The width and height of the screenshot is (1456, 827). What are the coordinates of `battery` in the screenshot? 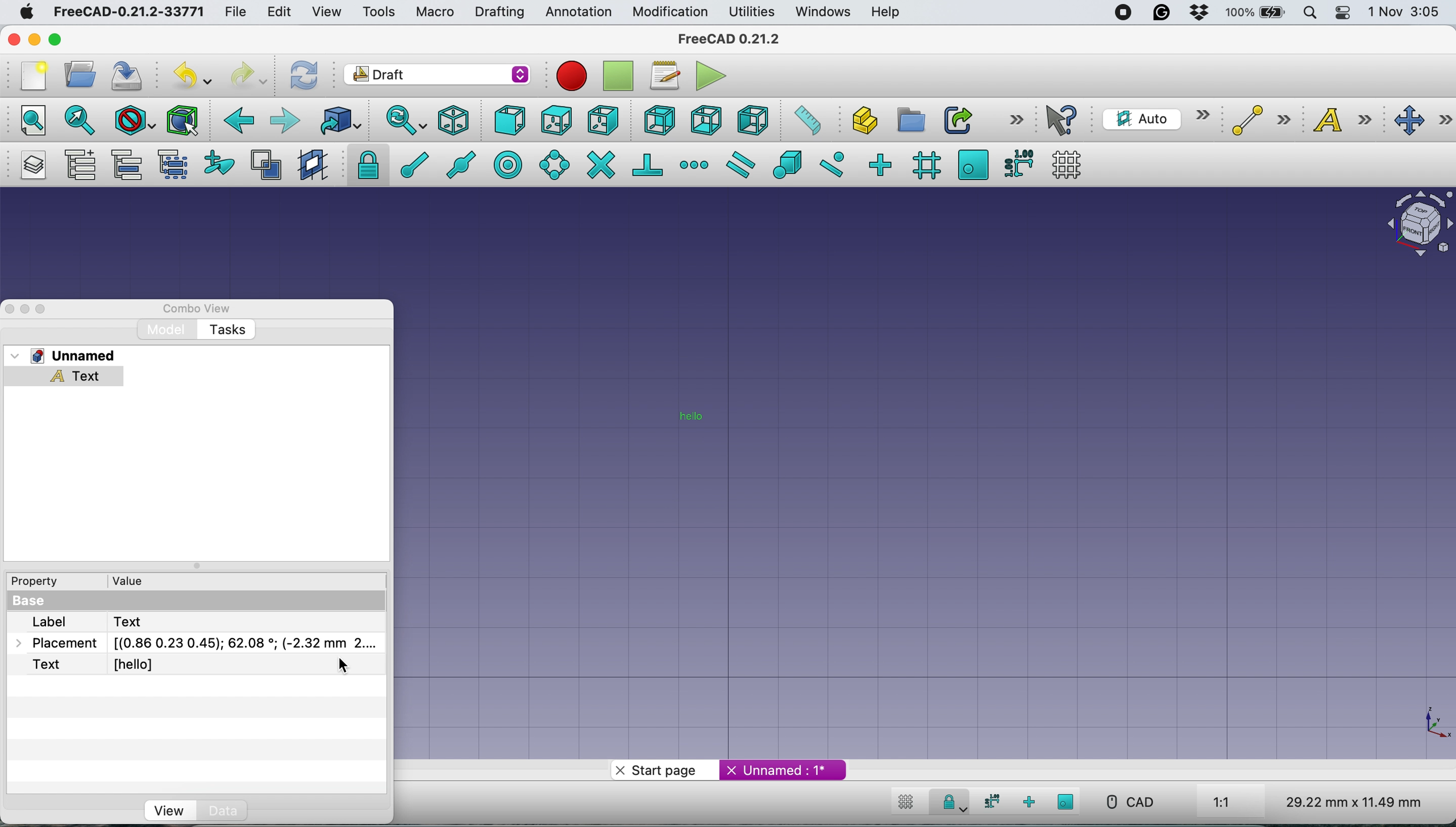 It's located at (1254, 12).